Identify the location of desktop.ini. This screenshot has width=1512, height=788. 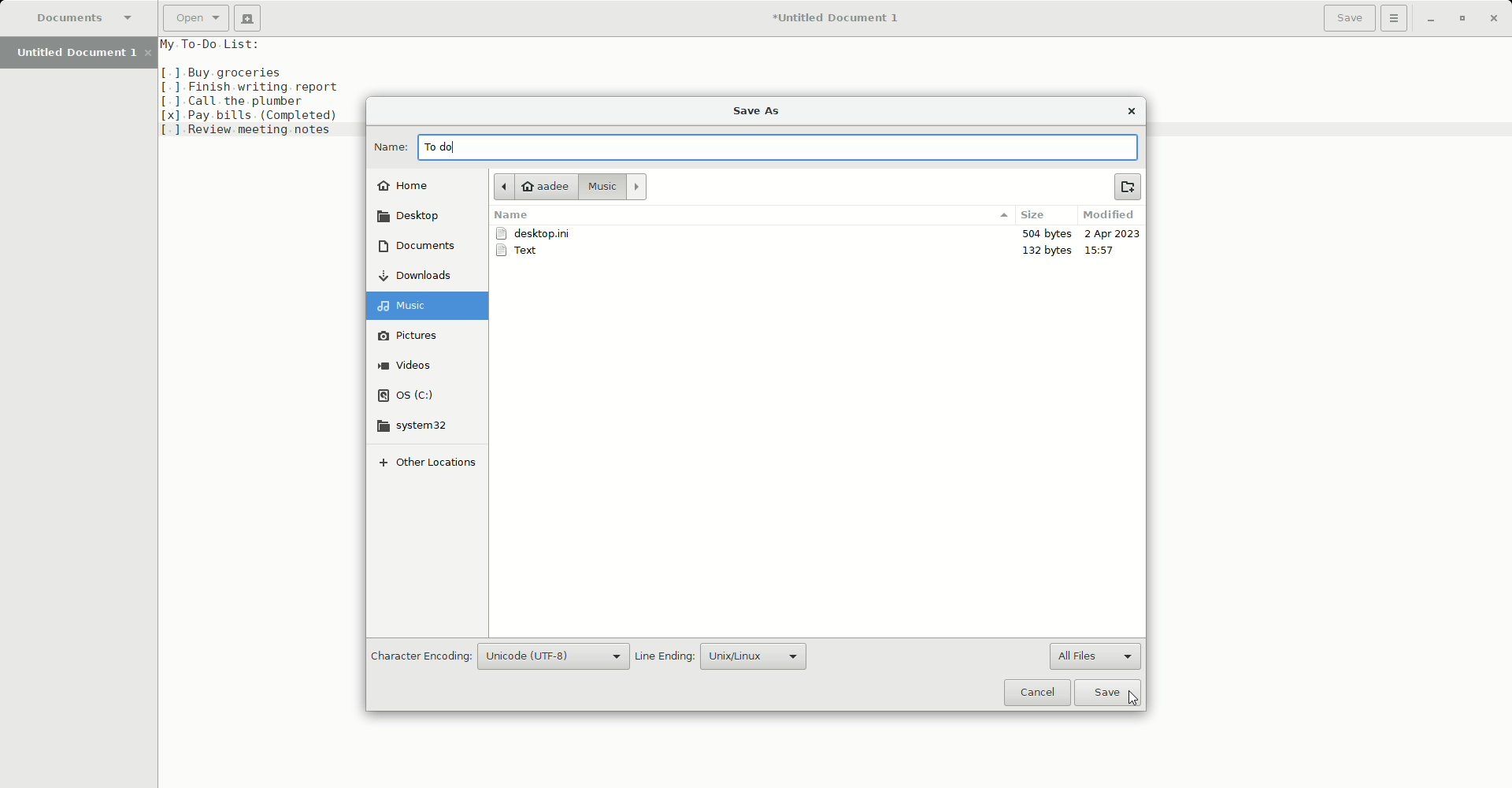
(538, 234).